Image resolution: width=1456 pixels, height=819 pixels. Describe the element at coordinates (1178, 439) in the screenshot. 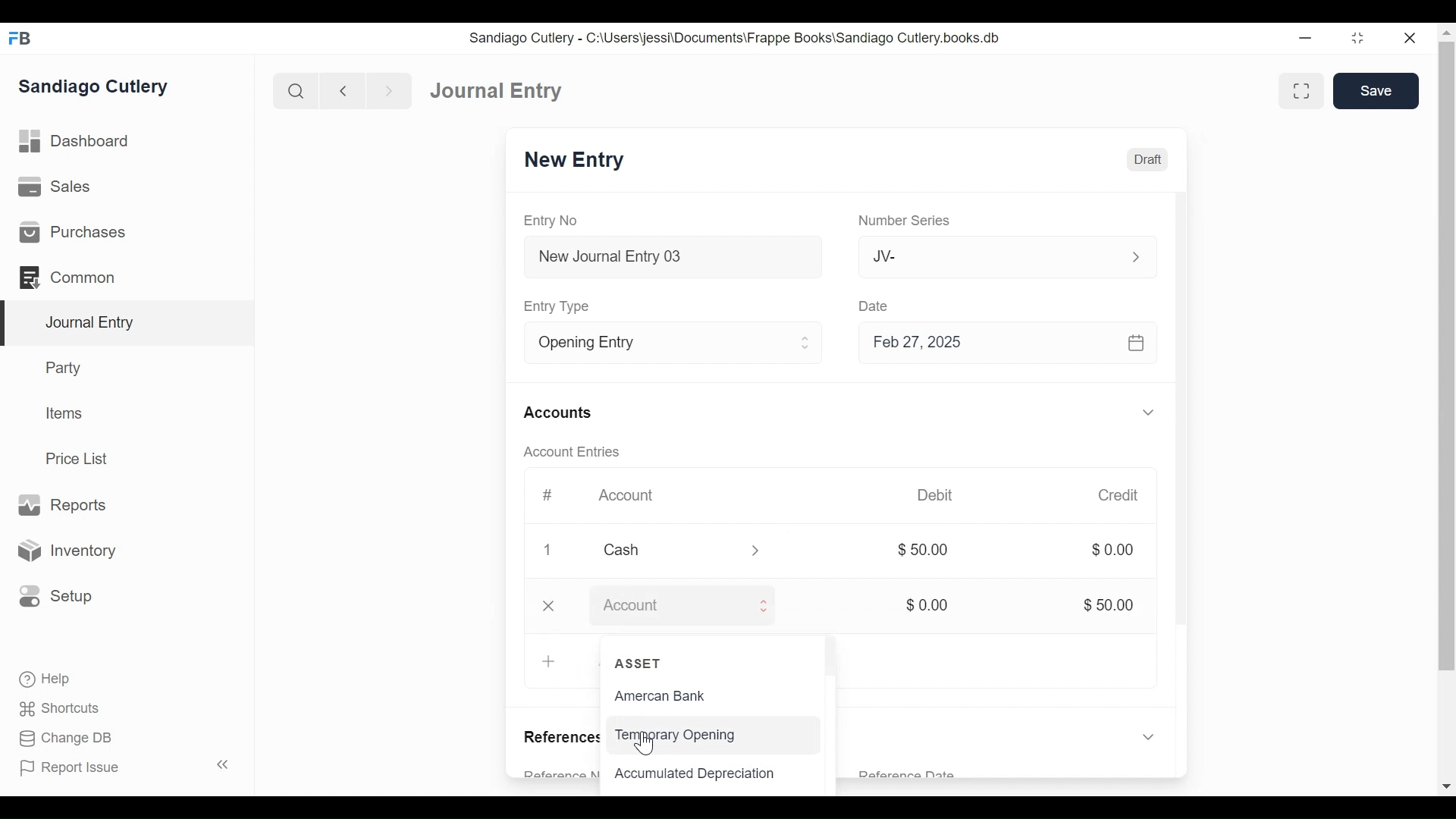

I see `Vertical Scroll bar` at that location.